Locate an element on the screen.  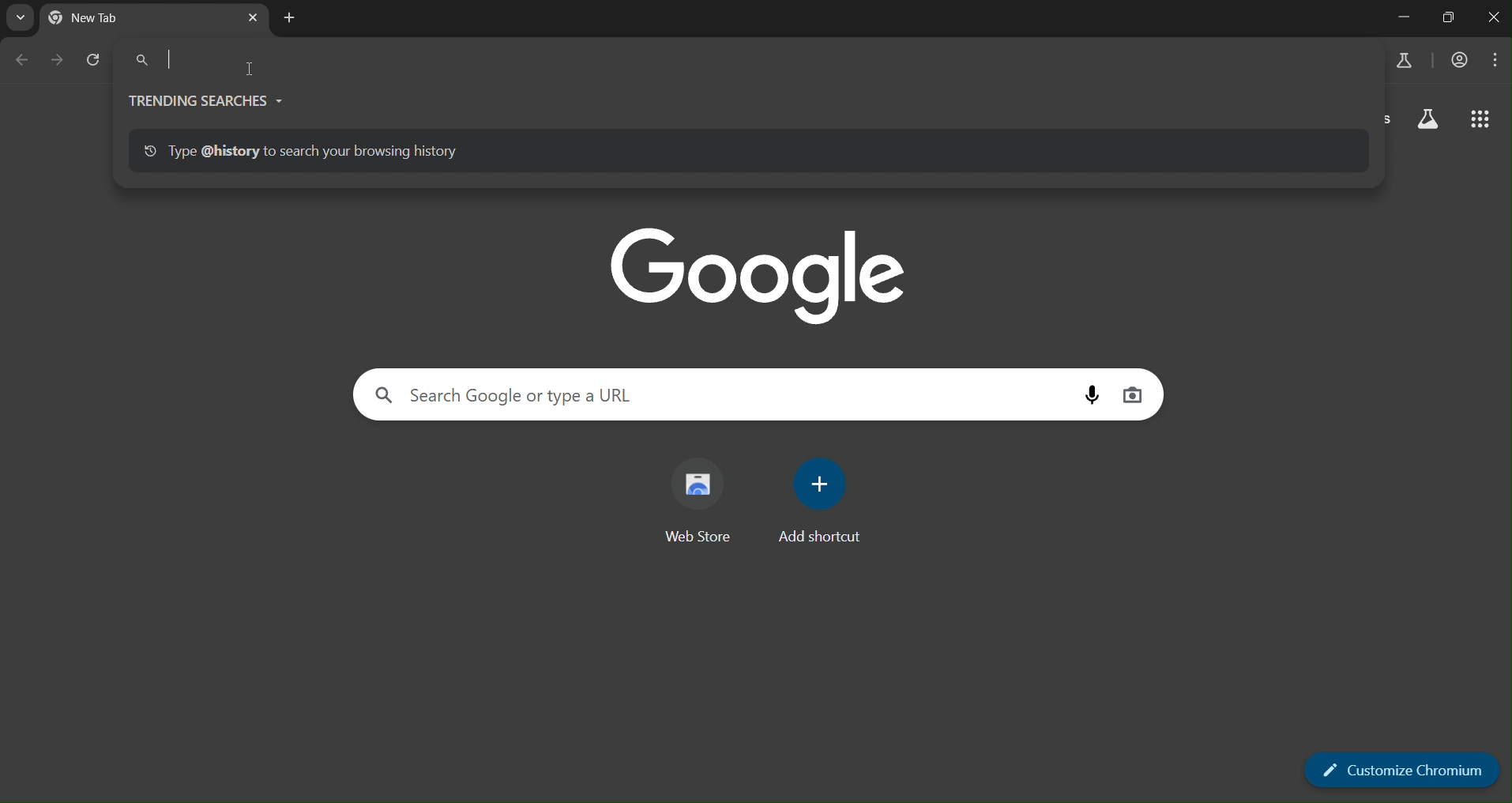
search tab is located at coordinates (20, 18).